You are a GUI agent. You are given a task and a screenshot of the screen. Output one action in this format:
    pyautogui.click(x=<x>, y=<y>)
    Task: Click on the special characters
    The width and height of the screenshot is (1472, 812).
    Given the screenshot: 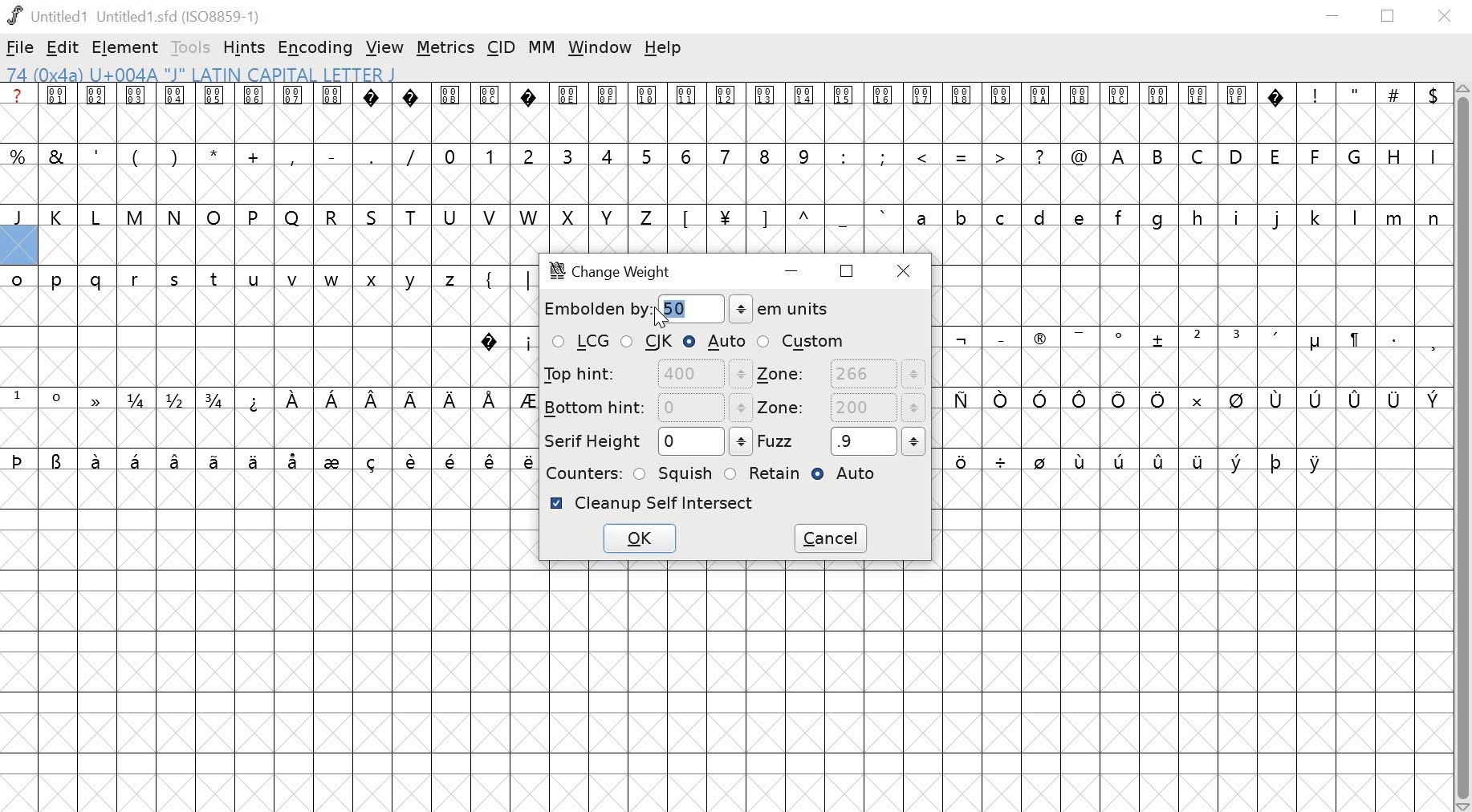 What is the action you would take?
    pyautogui.click(x=958, y=158)
    